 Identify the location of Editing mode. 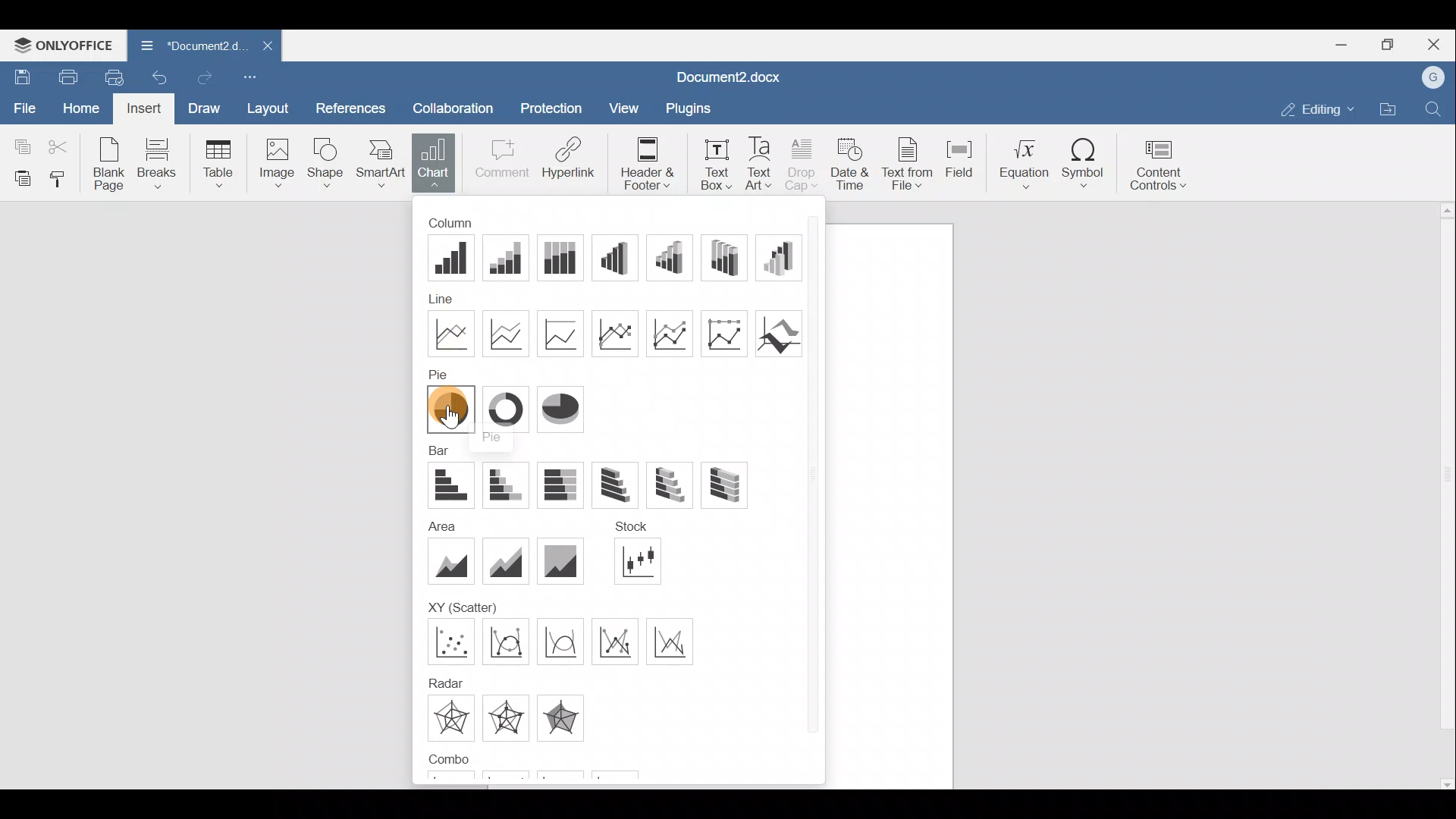
(1316, 106).